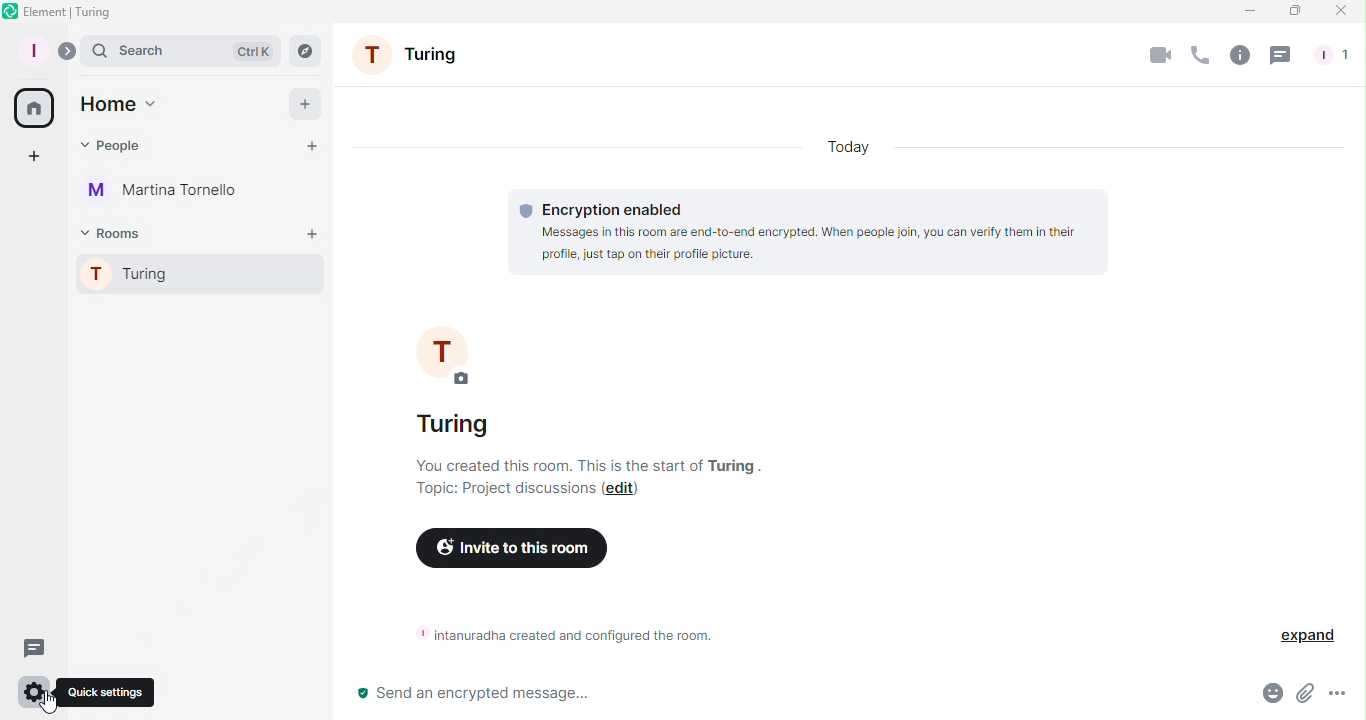 Image resolution: width=1366 pixels, height=720 pixels. What do you see at coordinates (849, 148) in the screenshot?
I see `Today` at bounding box center [849, 148].